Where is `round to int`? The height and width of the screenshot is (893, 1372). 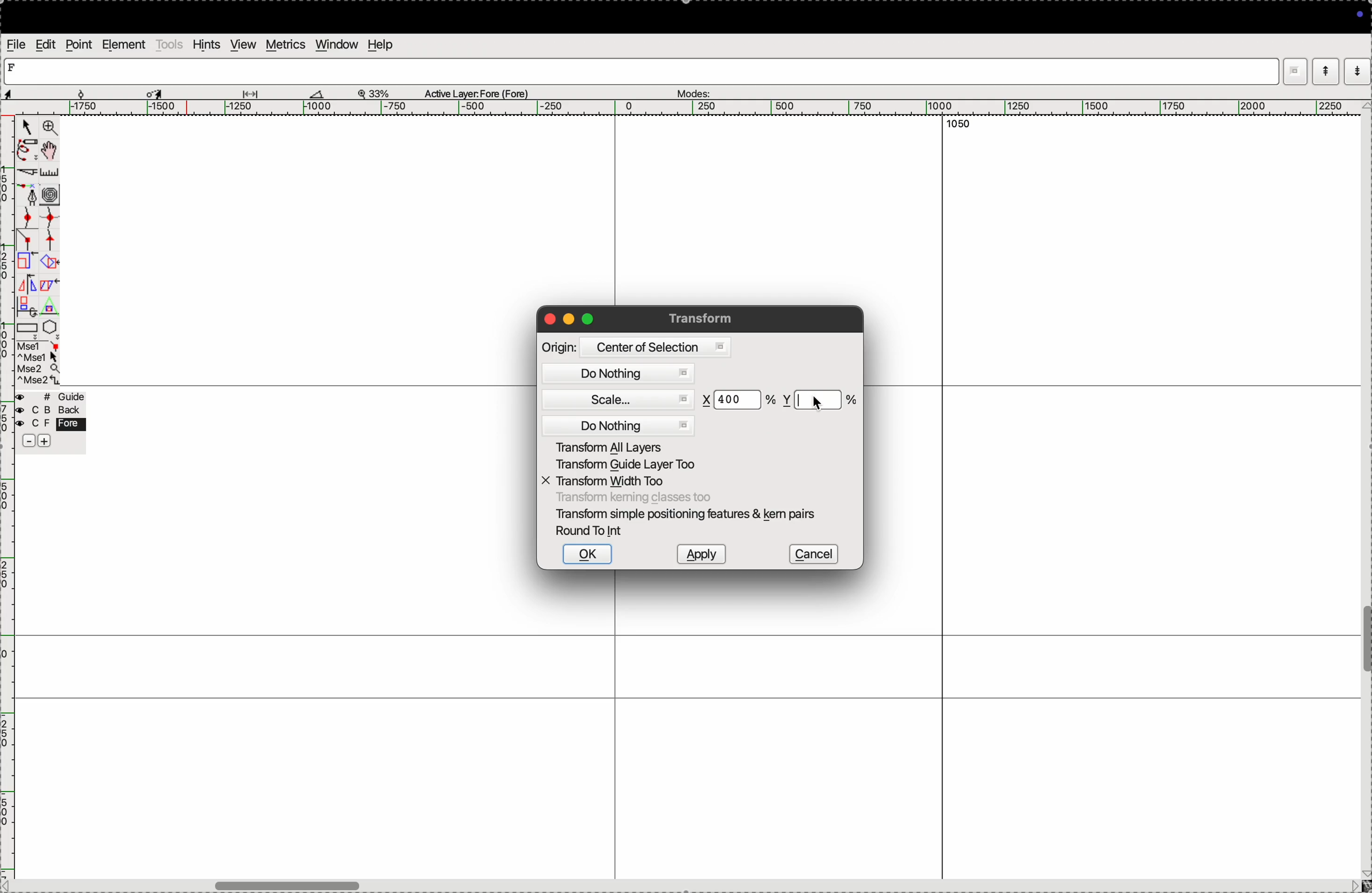
round to int is located at coordinates (593, 532).